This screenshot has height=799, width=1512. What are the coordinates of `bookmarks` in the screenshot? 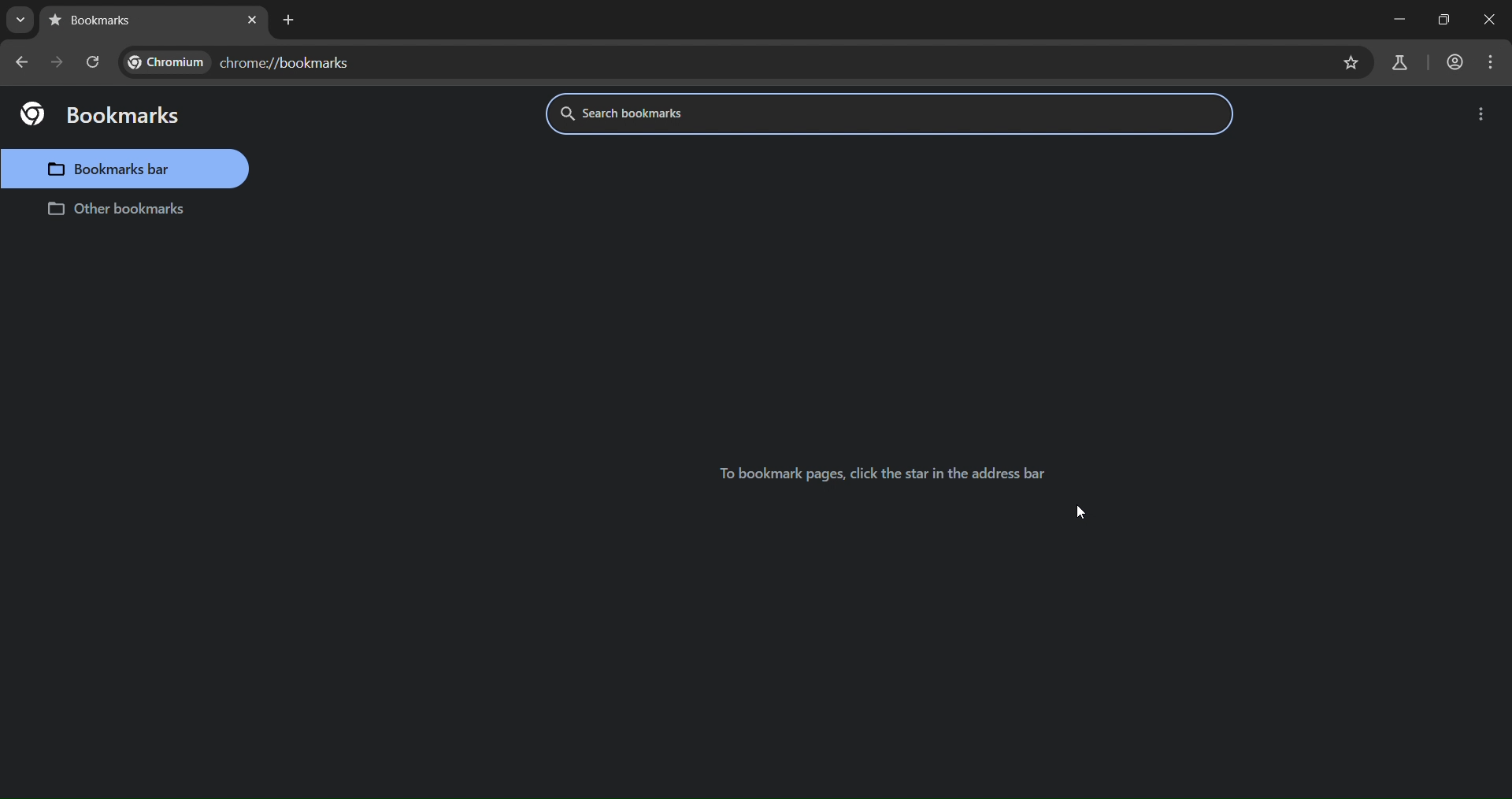 It's located at (101, 114).